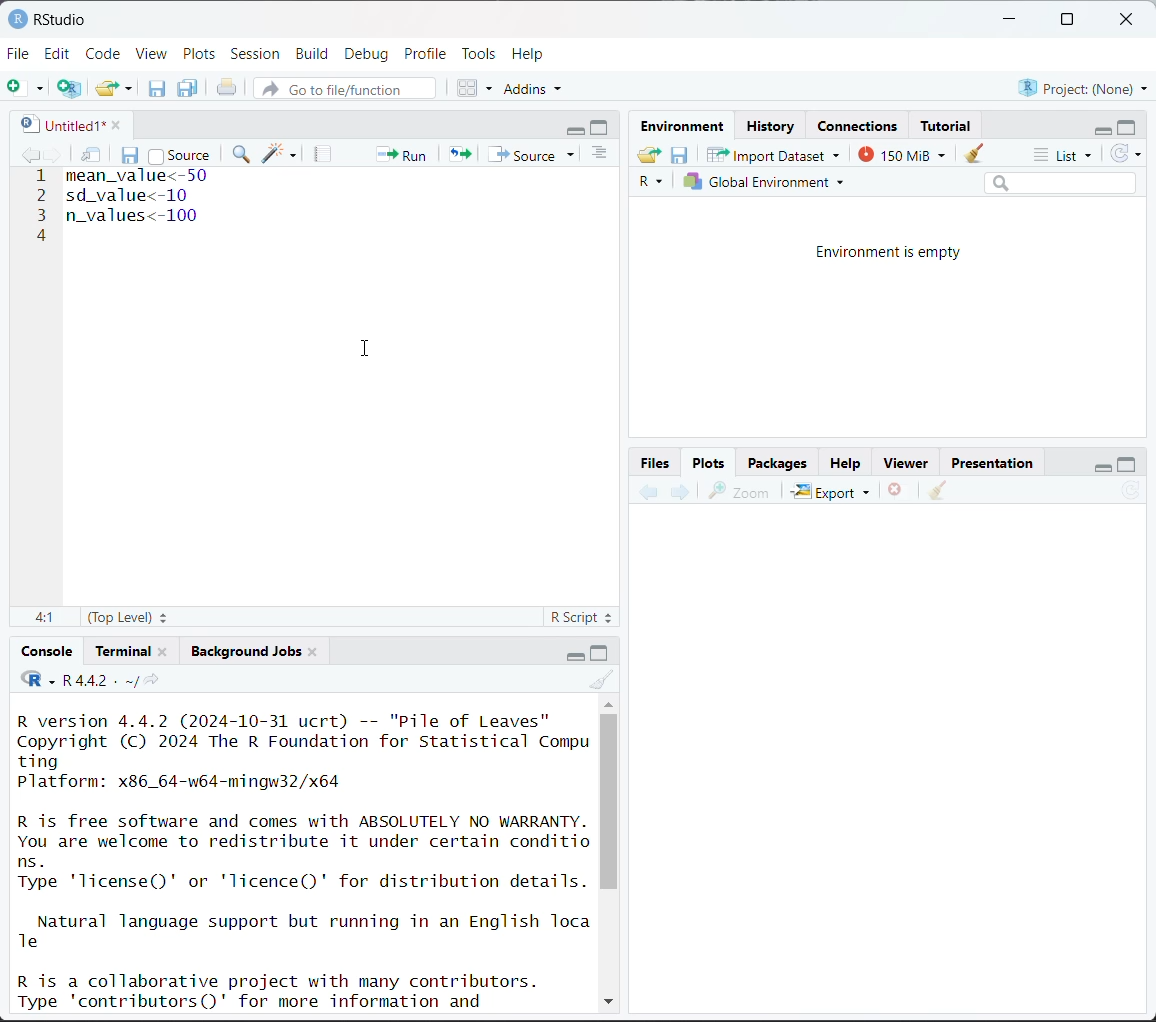  Describe the element at coordinates (777, 462) in the screenshot. I see `Packages` at that location.